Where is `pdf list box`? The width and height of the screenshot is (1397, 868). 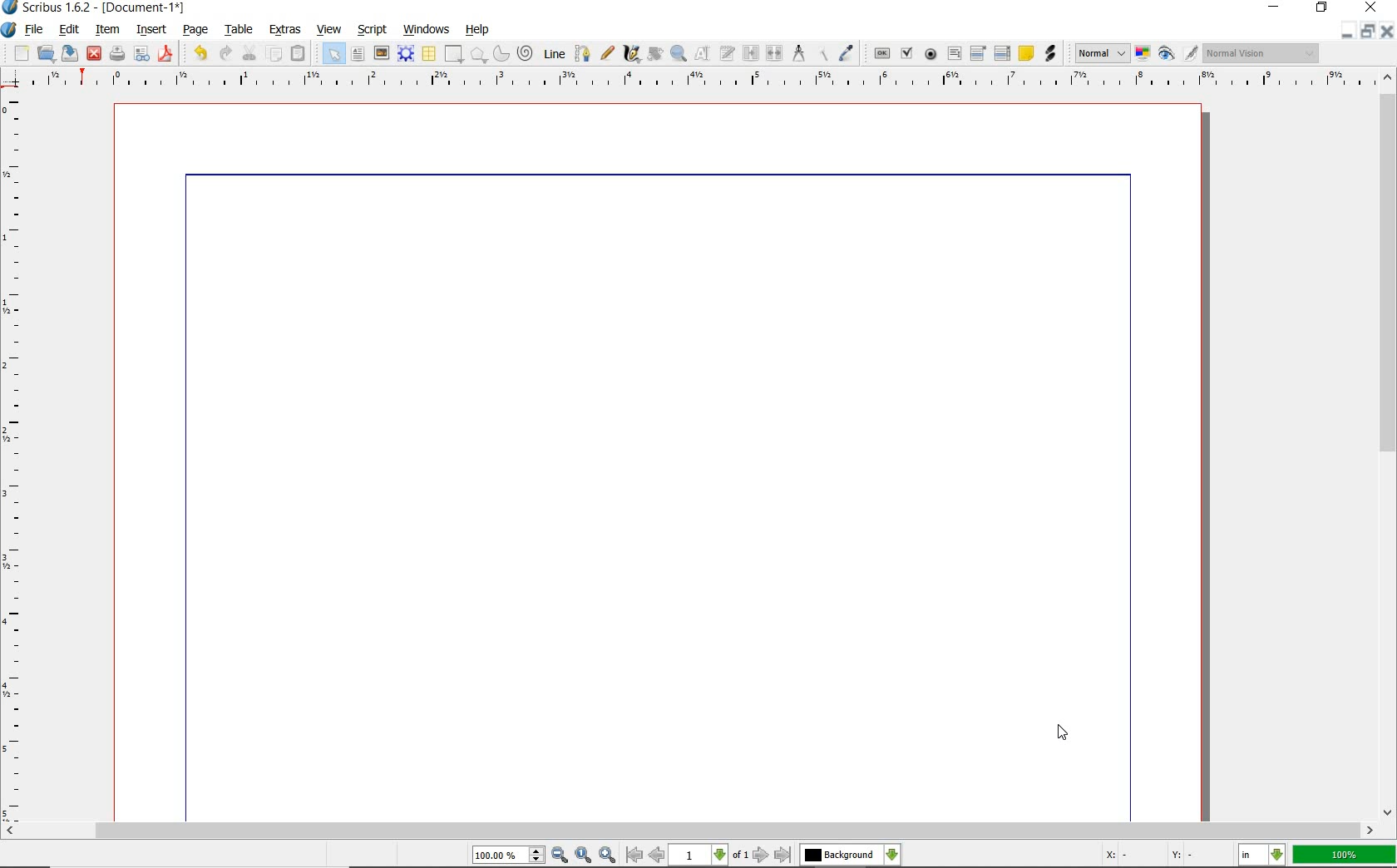
pdf list box is located at coordinates (1001, 53).